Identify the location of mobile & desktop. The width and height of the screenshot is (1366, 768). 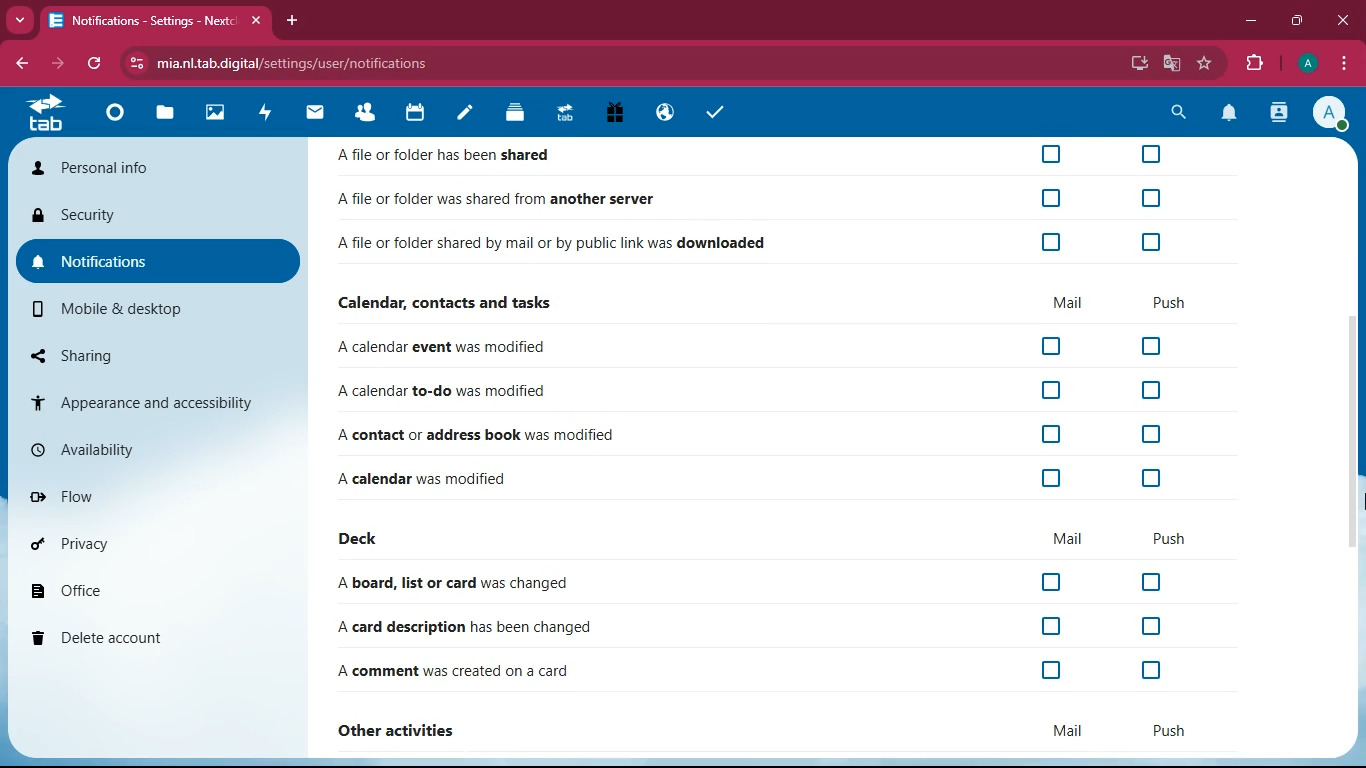
(160, 310).